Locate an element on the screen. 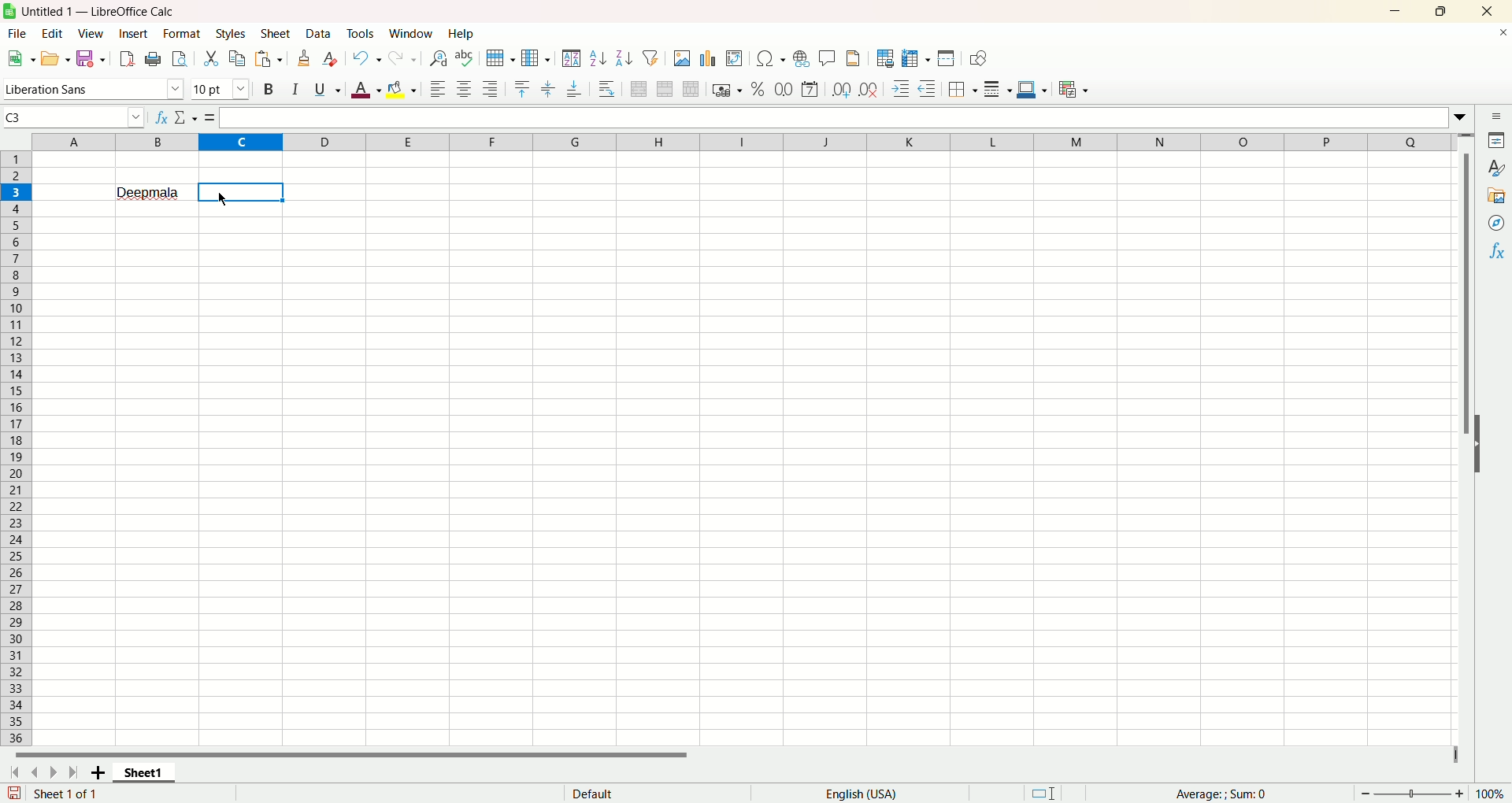 The image size is (1512, 803). Format is located at coordinates (182, 34).